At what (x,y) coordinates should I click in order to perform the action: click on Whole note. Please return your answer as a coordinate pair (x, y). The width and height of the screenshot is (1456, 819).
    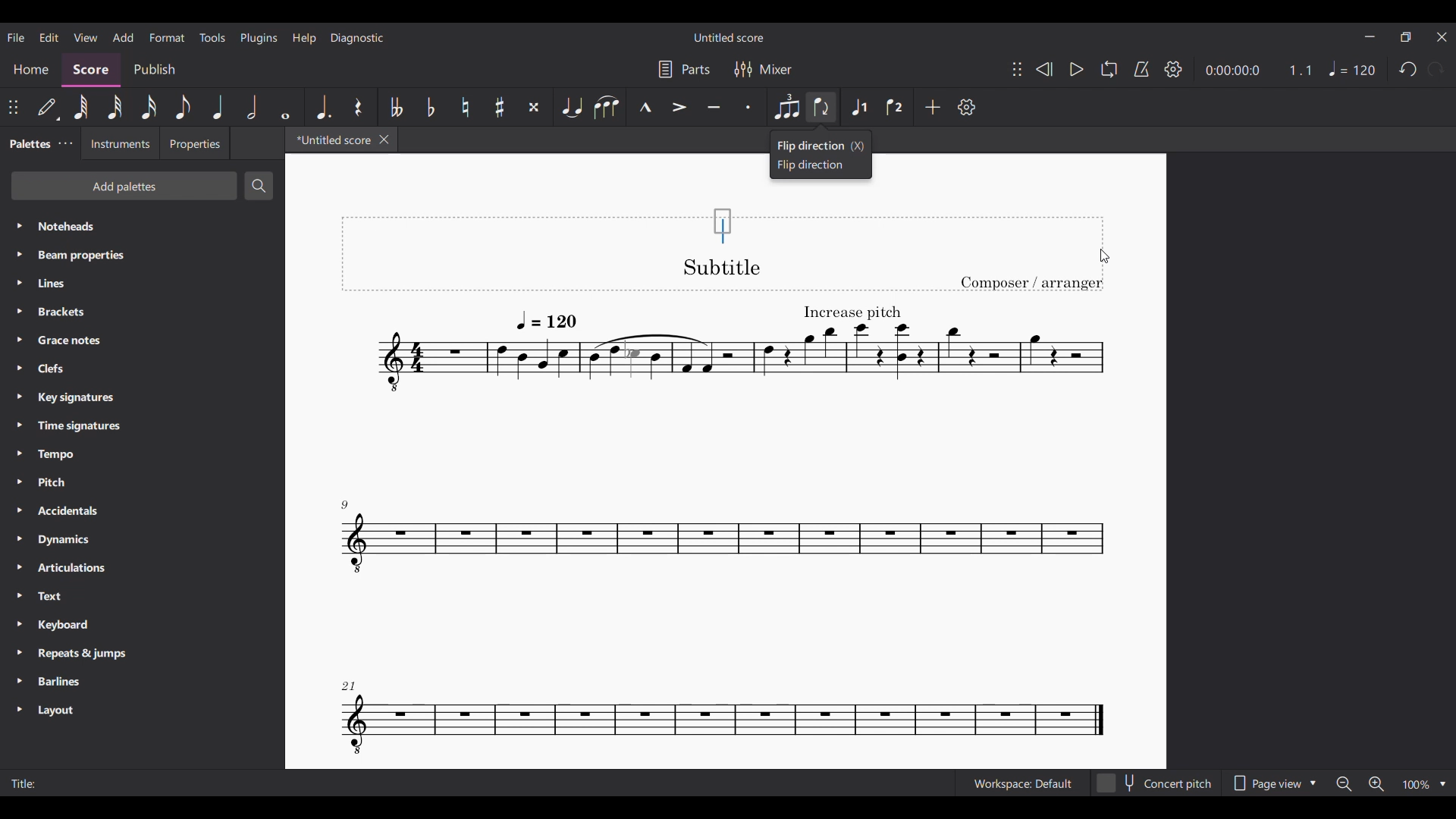
    Looking at the image, I should click on (287, 107).